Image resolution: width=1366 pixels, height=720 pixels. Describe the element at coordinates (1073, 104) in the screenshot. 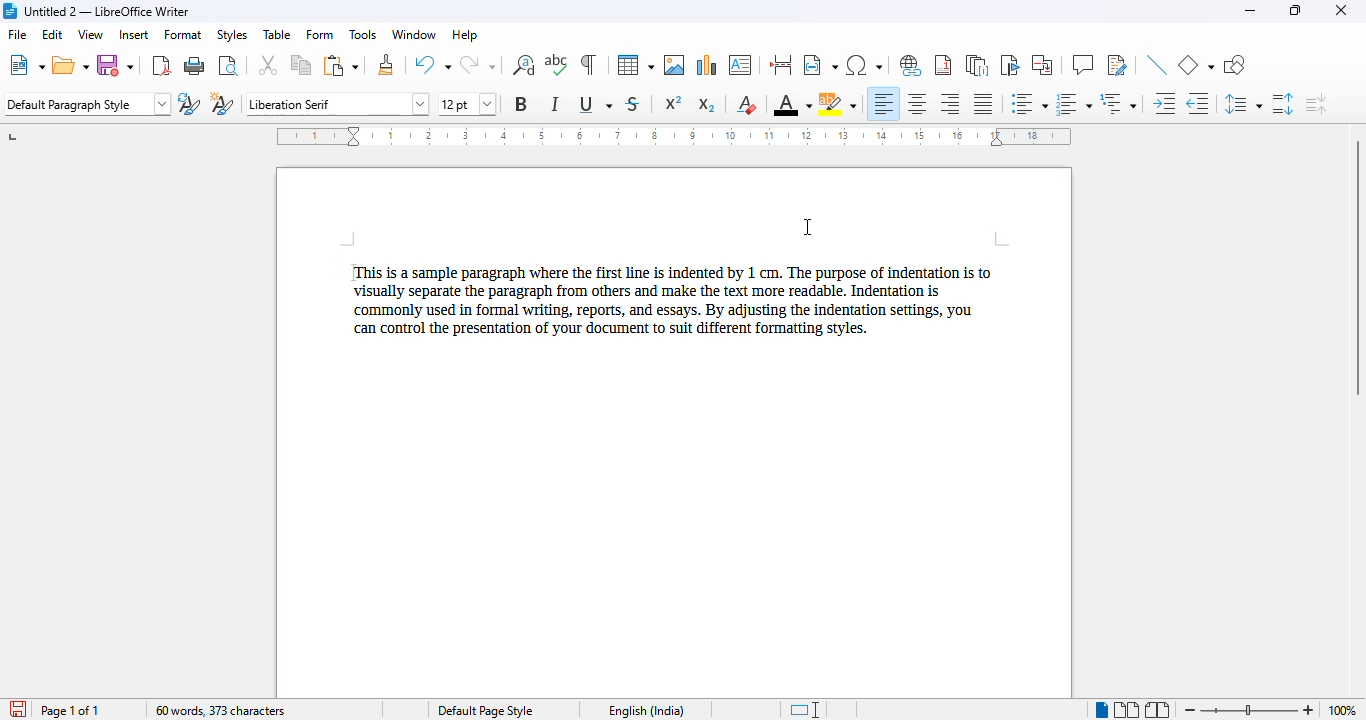

I see `toggle ordered list` at that location.